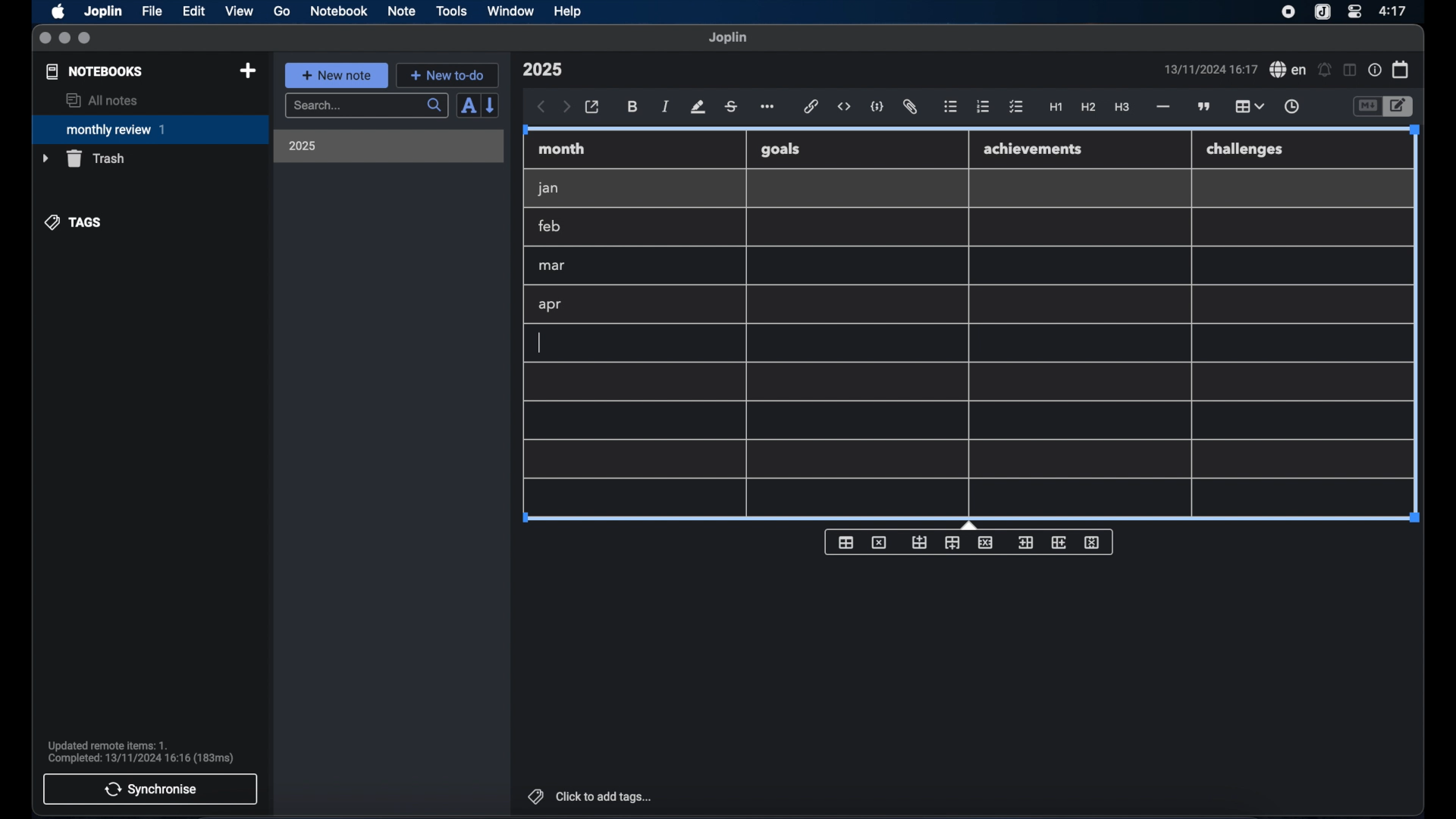 The height and width of the screenshot is (819, 1456). I want to click on table highlighted, so click(1247, 106).